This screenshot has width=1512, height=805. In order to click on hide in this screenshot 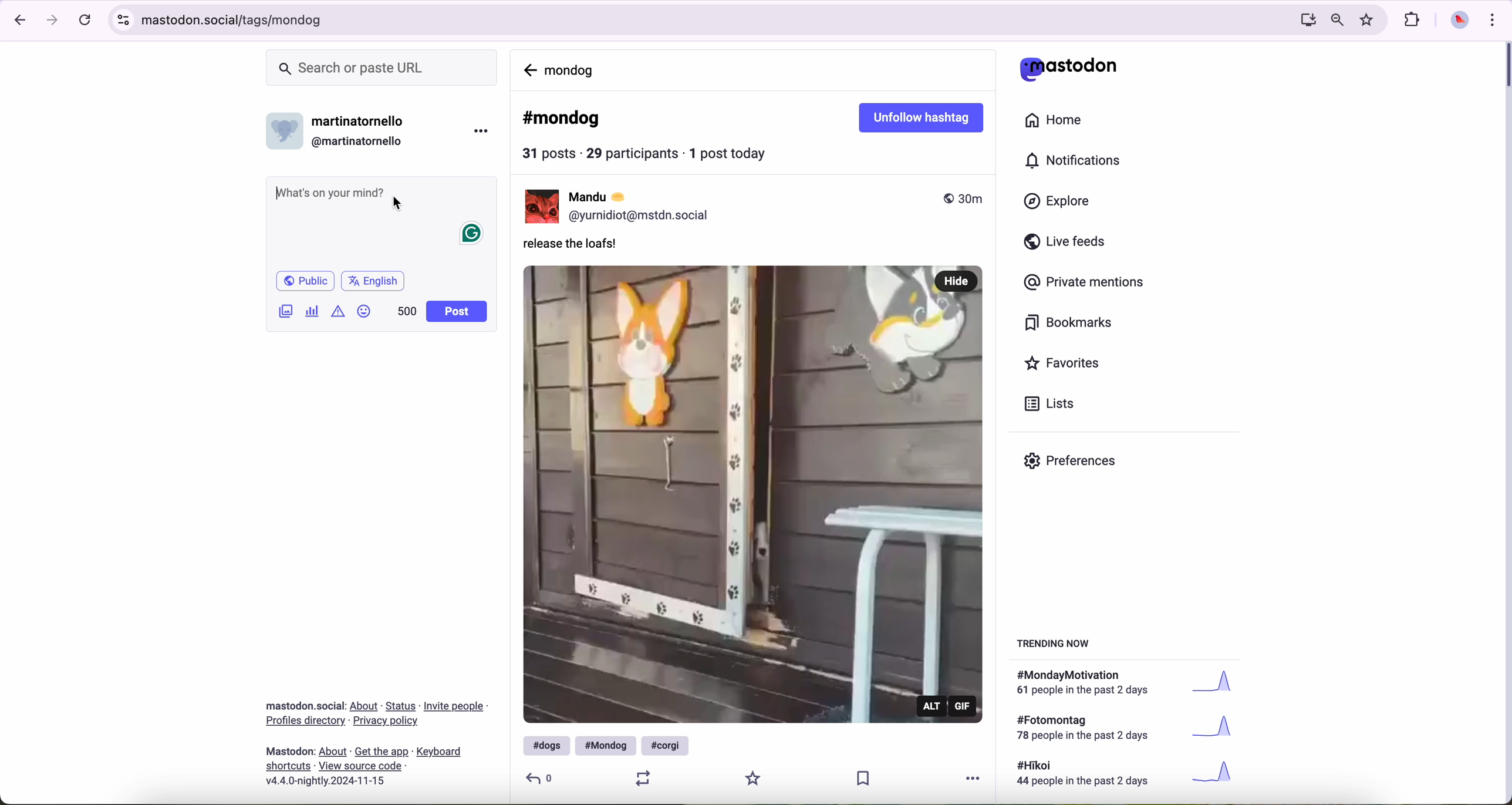, I will do `click(957, 279)`.